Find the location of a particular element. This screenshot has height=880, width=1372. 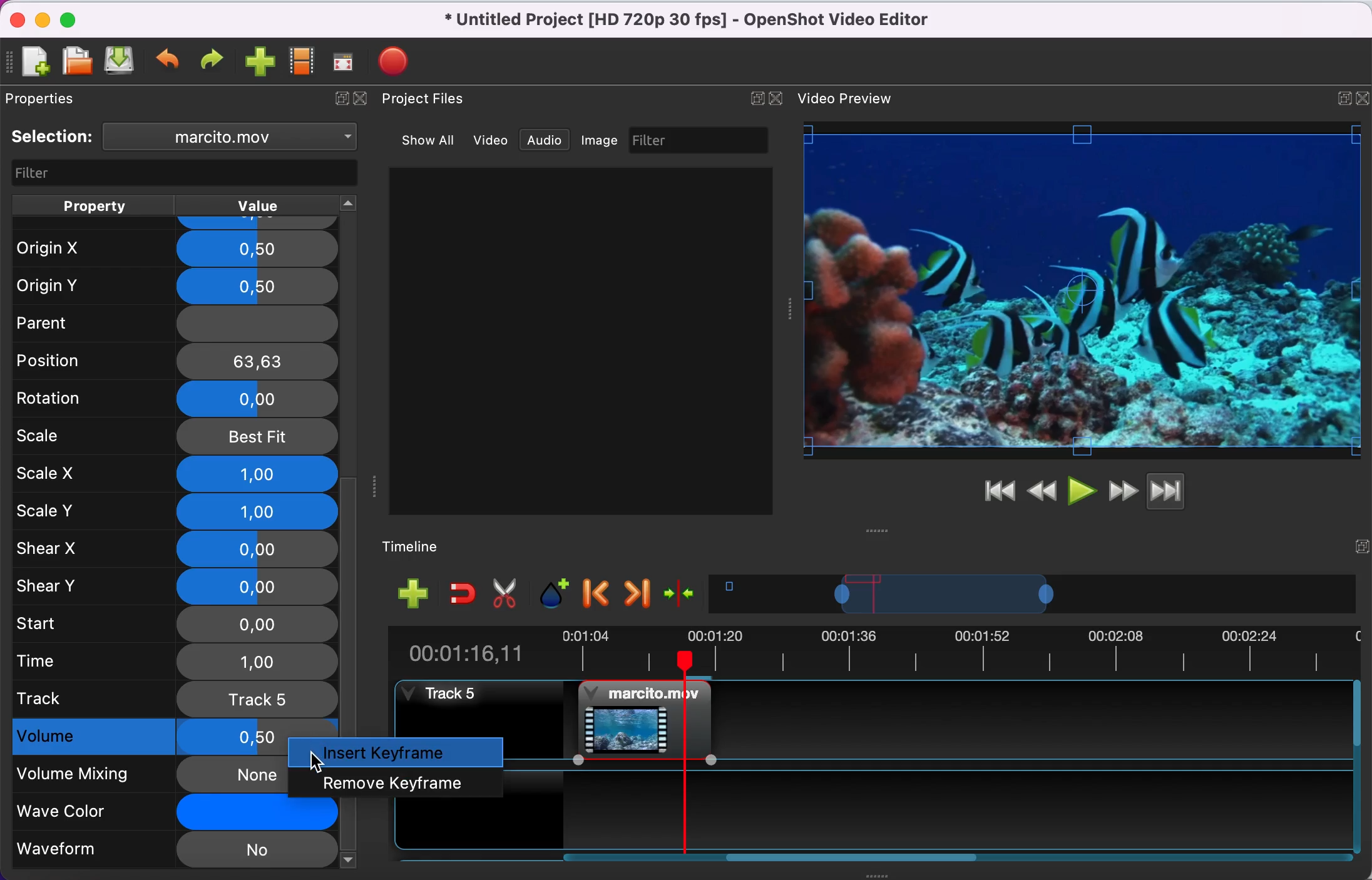

choose profile is located at coordinates (301, 62).